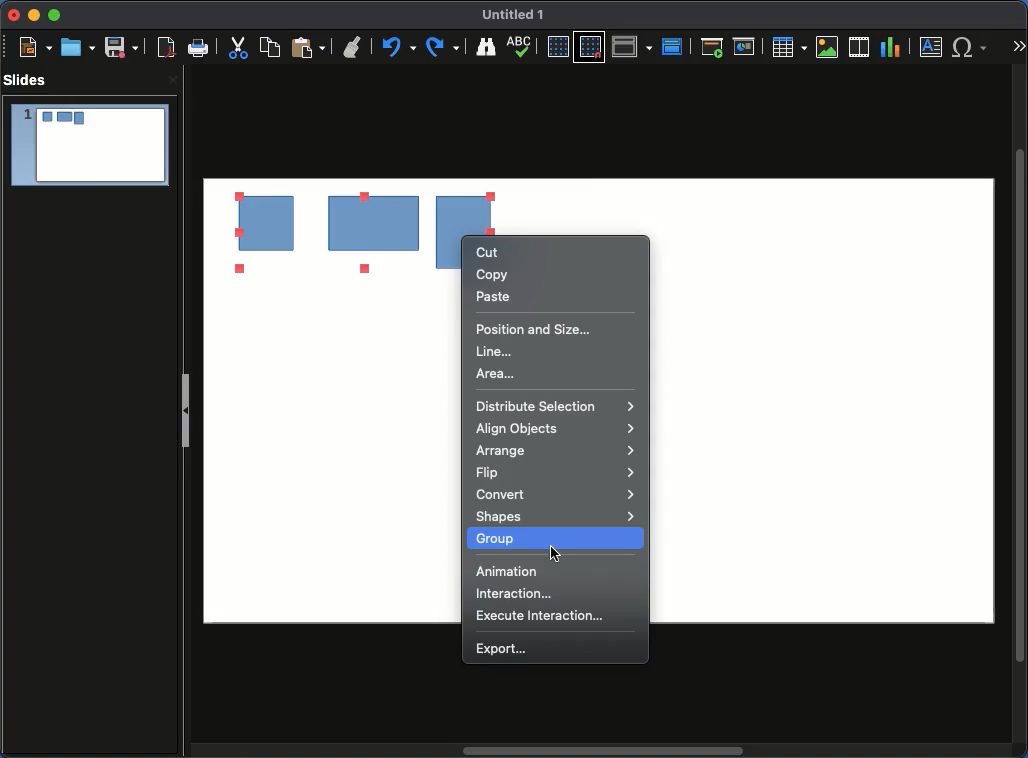 The width and height of the screenshot is (1028, 758). What do you see at coordinates (859, 46) in the screenshot?
I see `Insert audio or video` at bounding box center [859, 46].